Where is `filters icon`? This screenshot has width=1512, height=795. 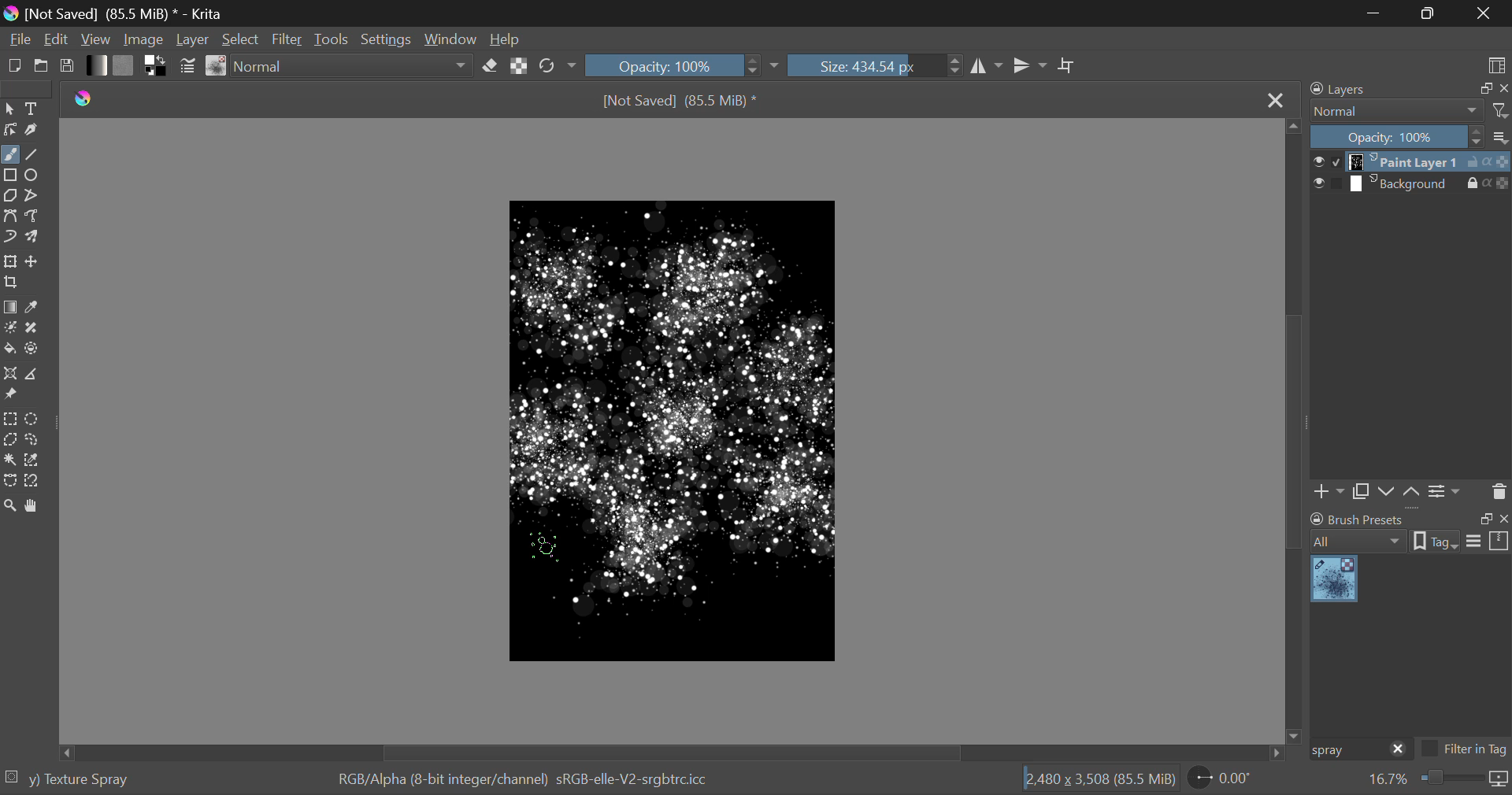 filters icon is located at coordinates (1501, 109).